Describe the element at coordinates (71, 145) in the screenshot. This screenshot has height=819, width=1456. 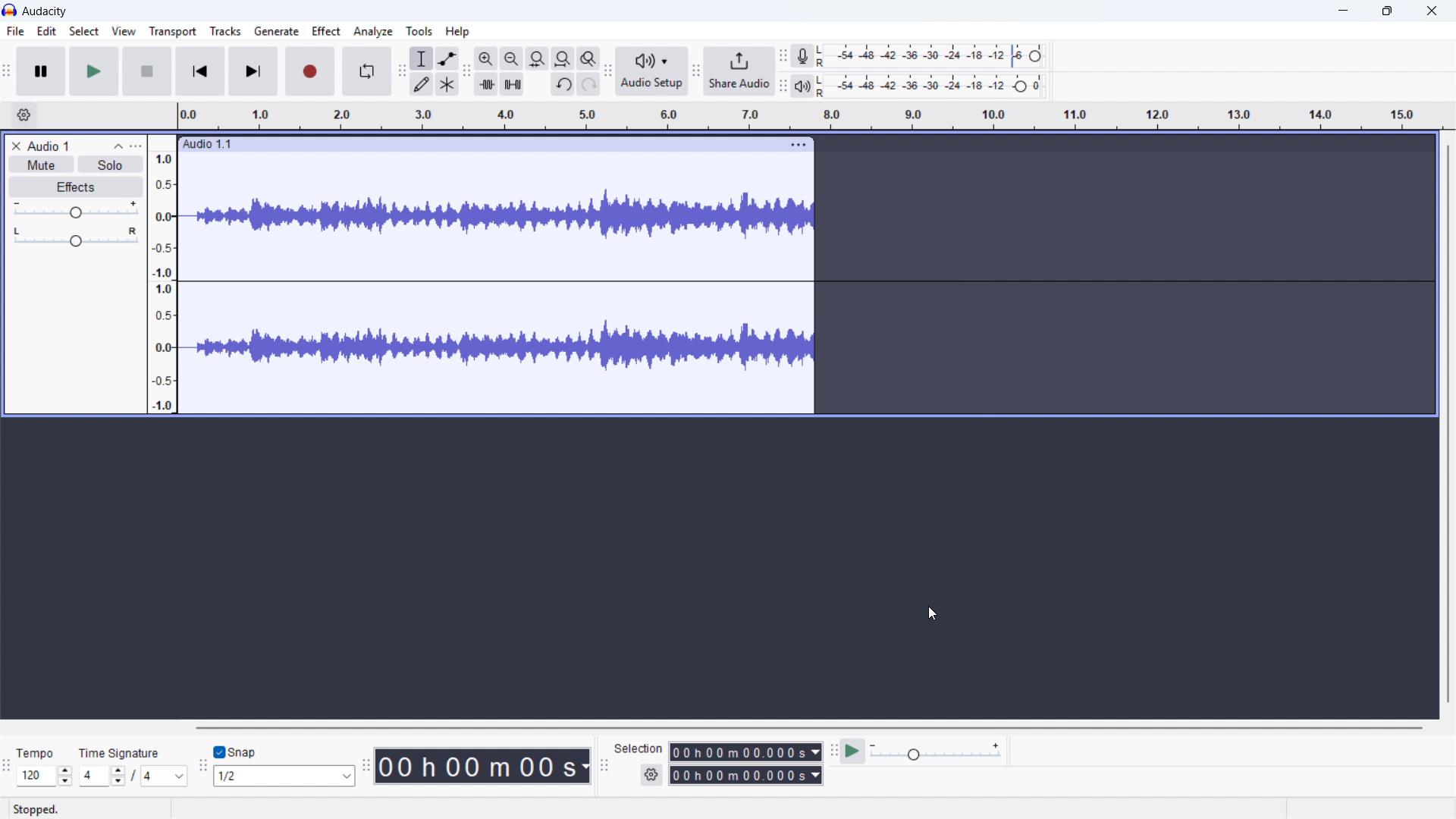
I see `Track title ` at that location.